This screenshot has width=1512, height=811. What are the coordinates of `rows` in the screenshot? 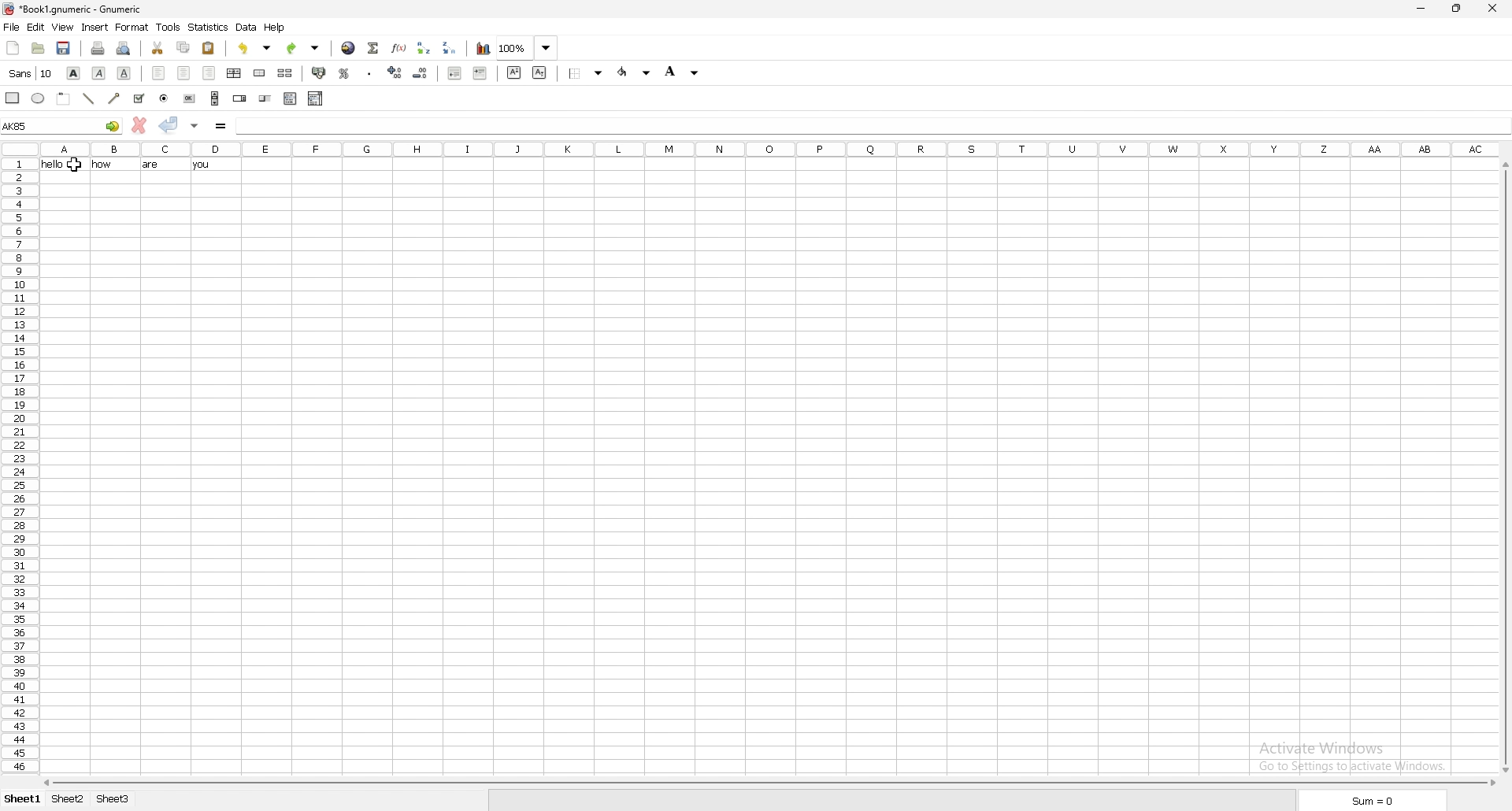 It's located at (19, 465).